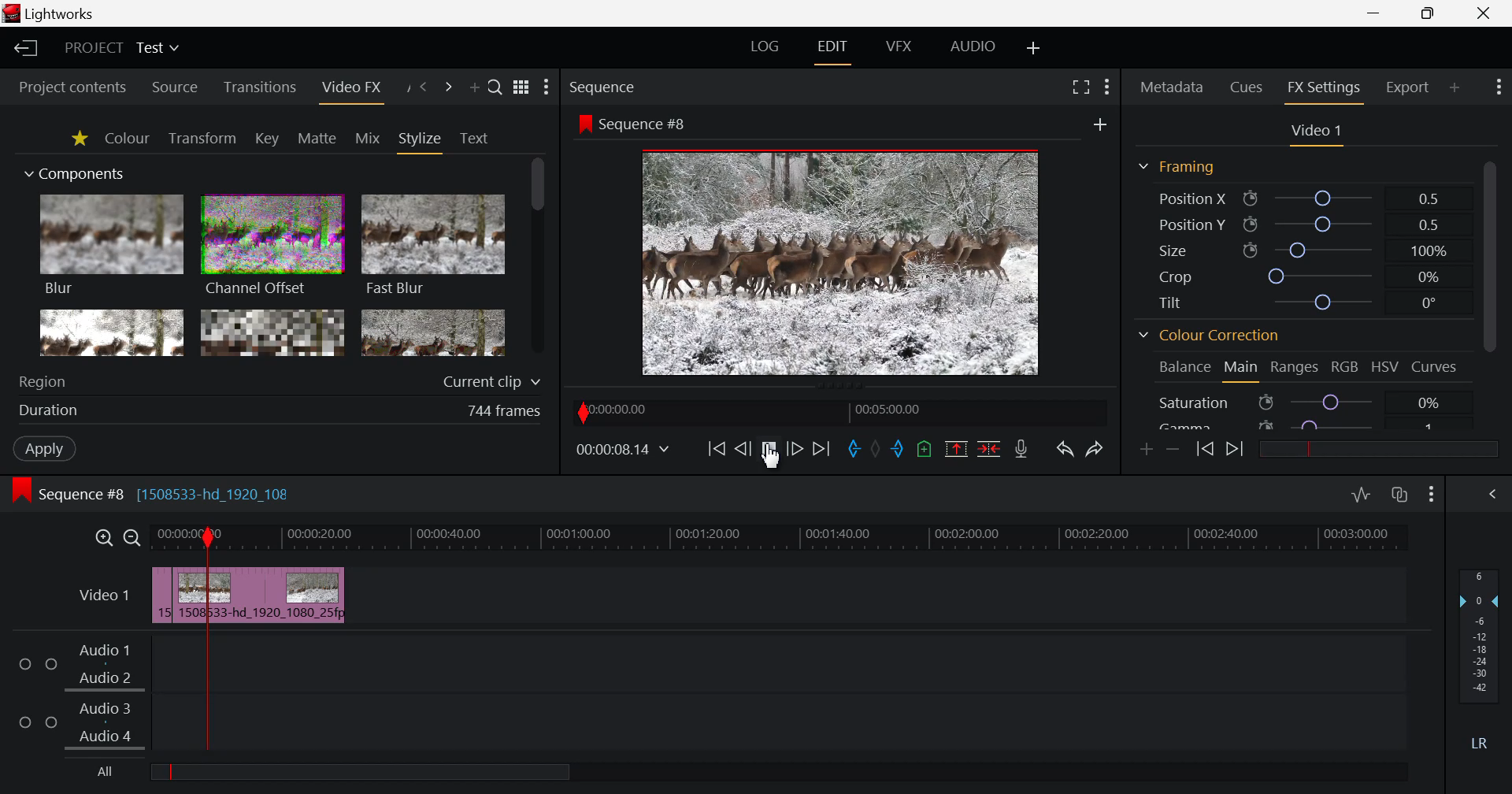 Image resolution: width=1512 pixels, height=794 pixels. I want to click on Previous Panel, so click(424, 87).